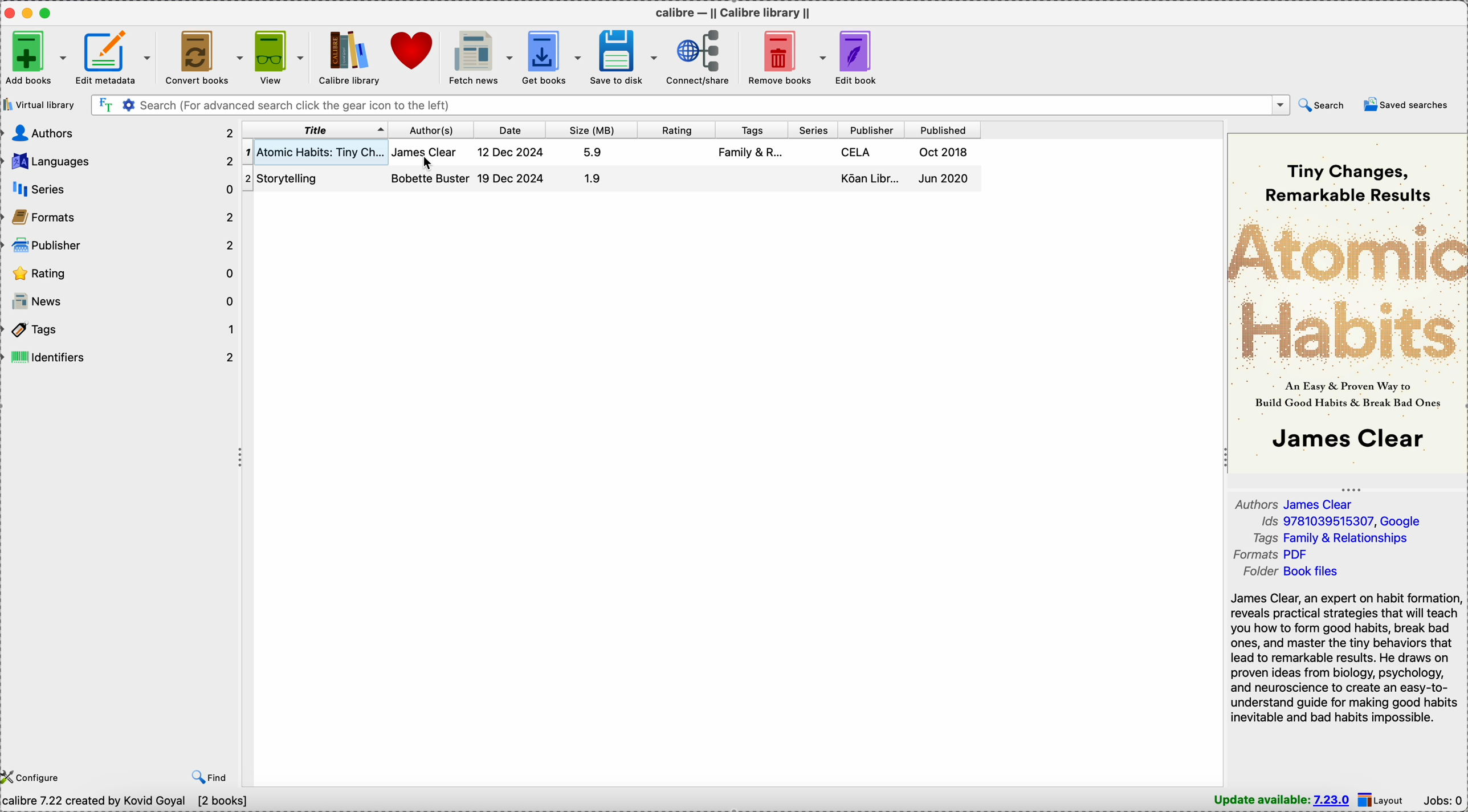 The width and height of the screenshot is (1468, 812). I want to click on rating, so click(121, 274).